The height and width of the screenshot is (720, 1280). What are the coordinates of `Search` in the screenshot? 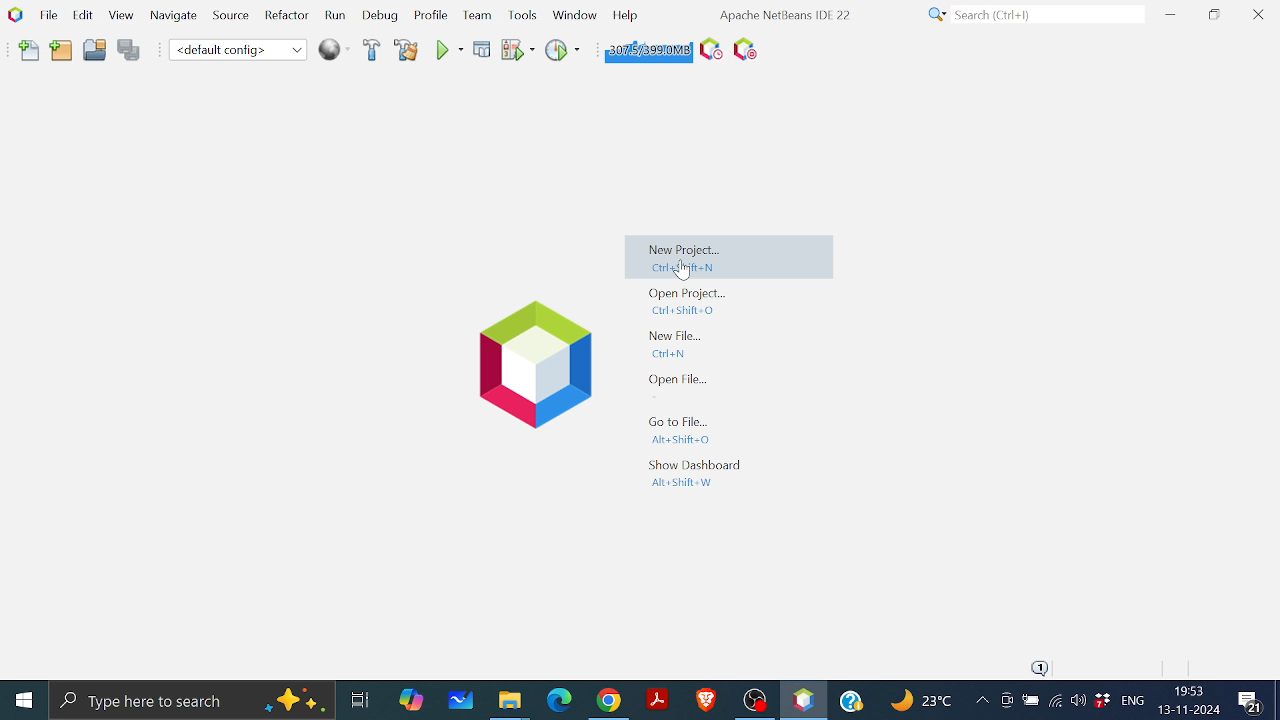 It's located at (1032, 15).